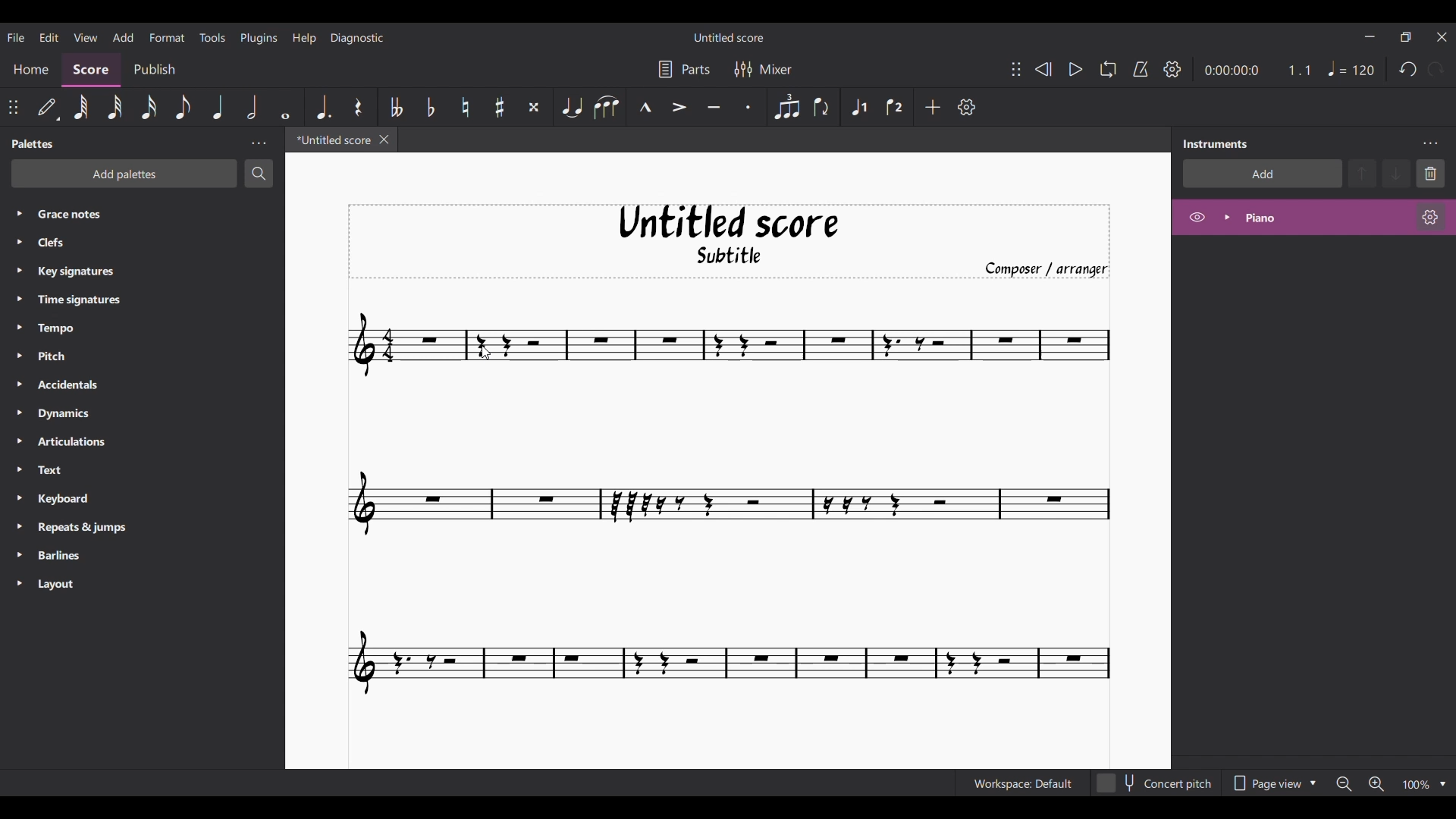 Image resolution: width=1456 pixels, height=819 pixels. I want to click on Toggle double sharp, so click(534, 107).